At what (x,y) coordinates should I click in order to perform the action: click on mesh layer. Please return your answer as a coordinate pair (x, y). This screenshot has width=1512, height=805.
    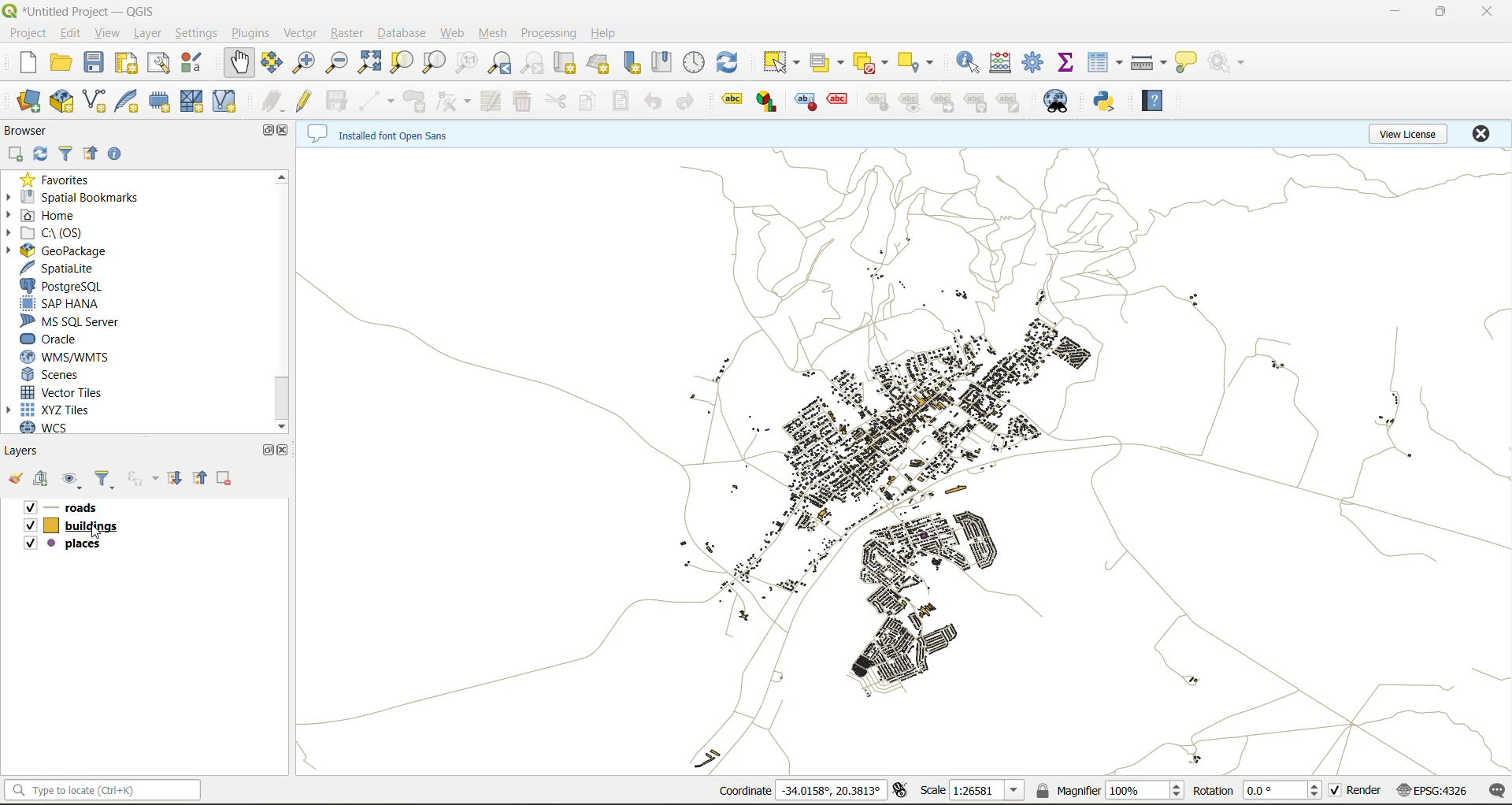
    Looking at the image, I should click on (191, 103).